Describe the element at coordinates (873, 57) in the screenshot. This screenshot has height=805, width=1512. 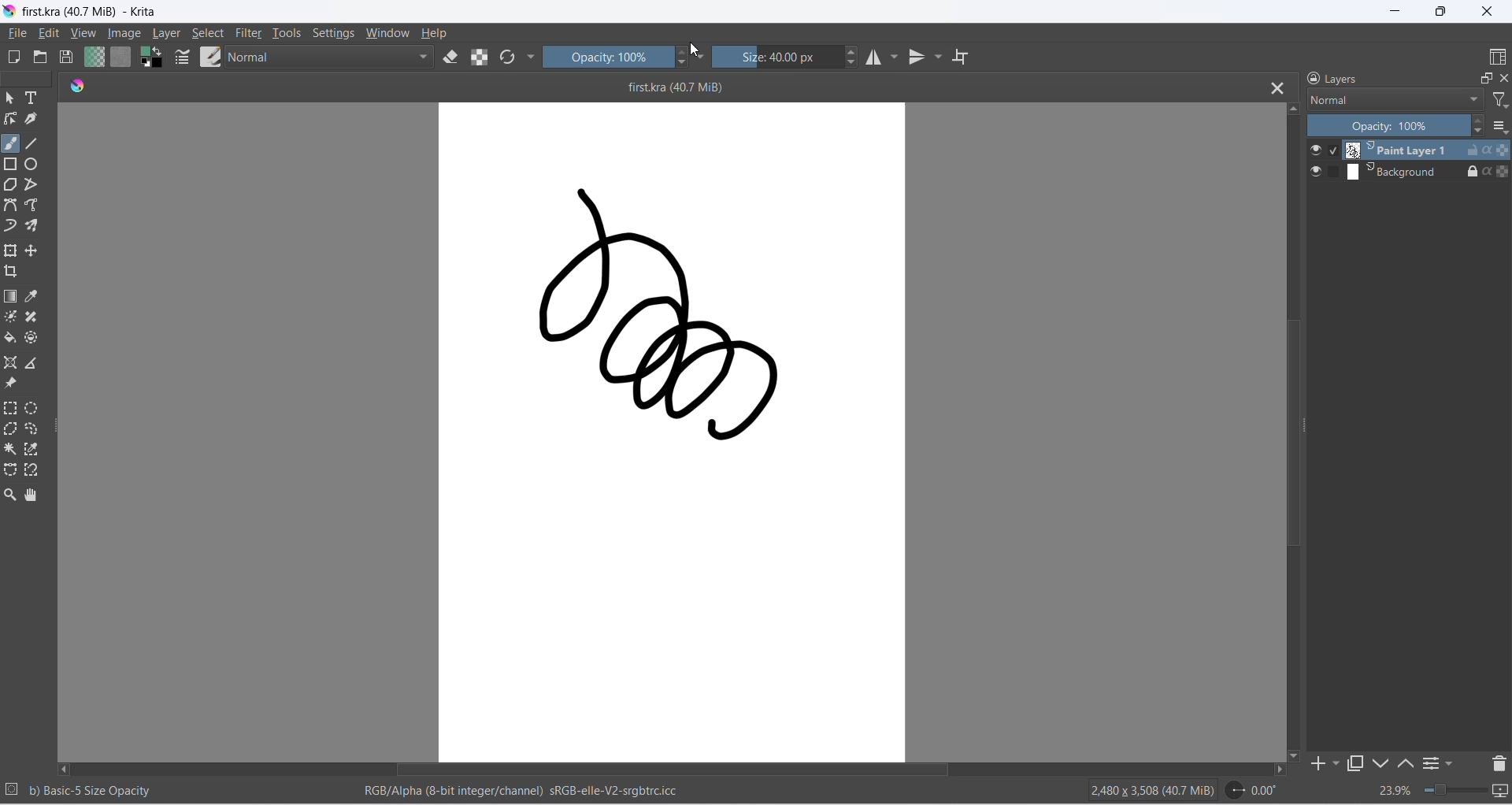
I see `horizontal mirror tool` at that location.